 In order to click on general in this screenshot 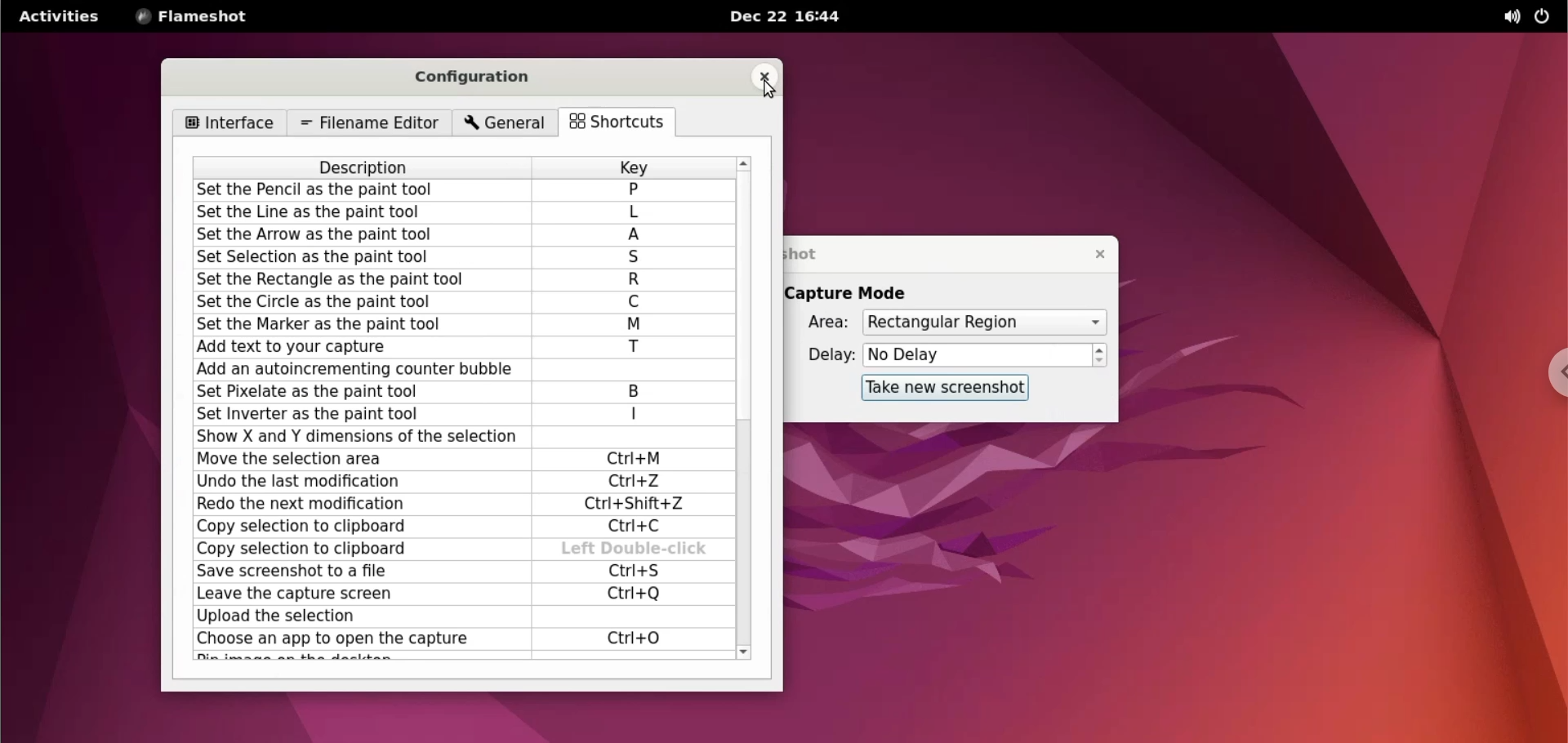, I will do `click(507, 124)`.